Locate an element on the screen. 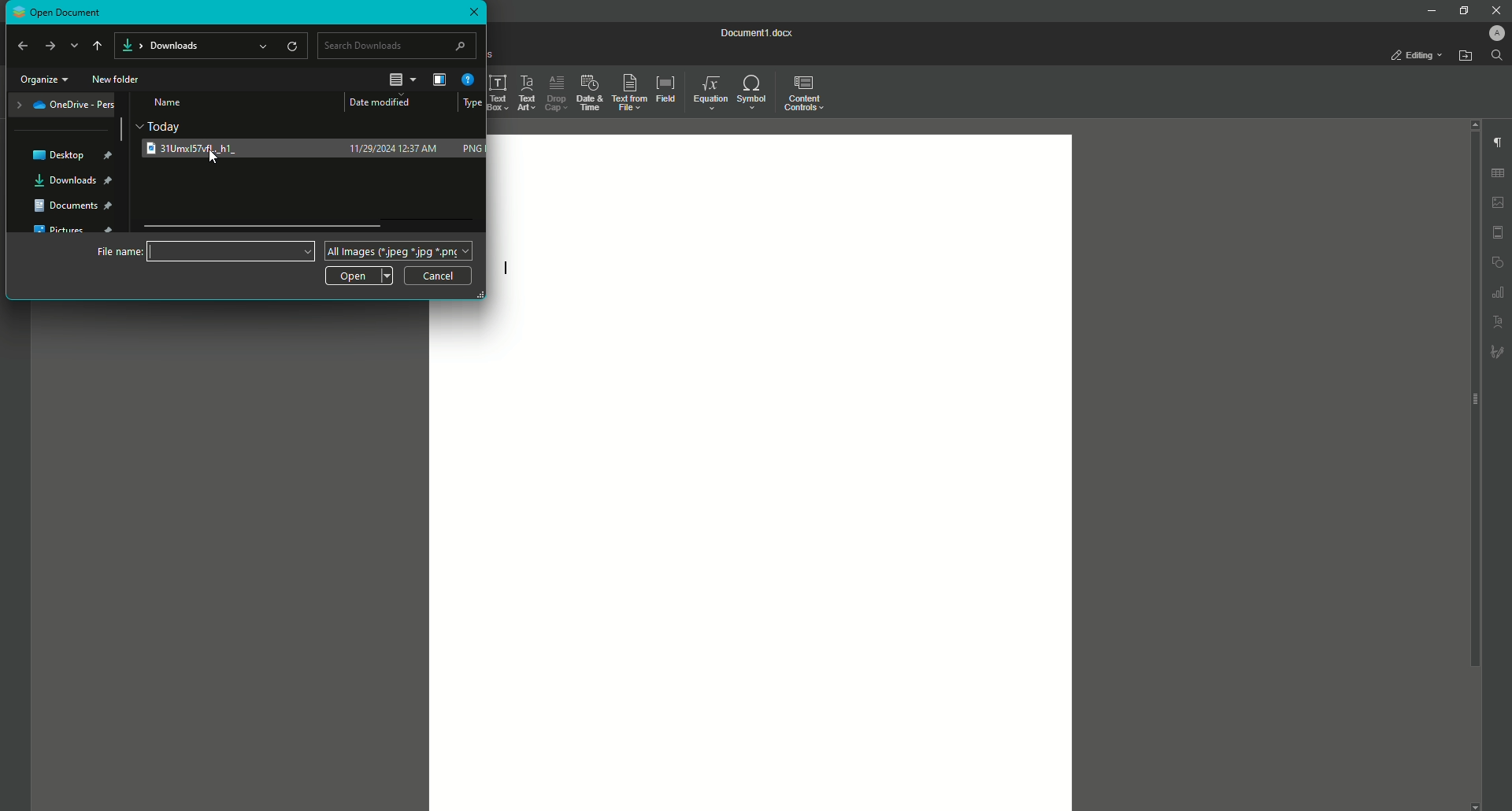 Image resolution: width=1512 pixels, height=811 pixels. Profile is located at coordinates (1494, 33).